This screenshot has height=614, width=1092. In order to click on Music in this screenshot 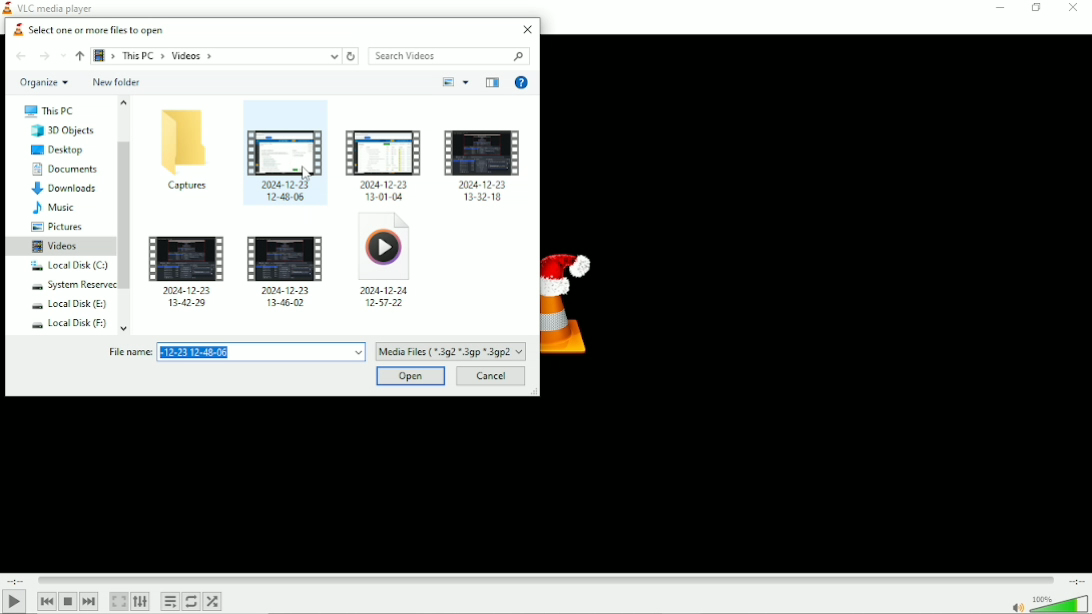, I will do `click(55, 209)`.